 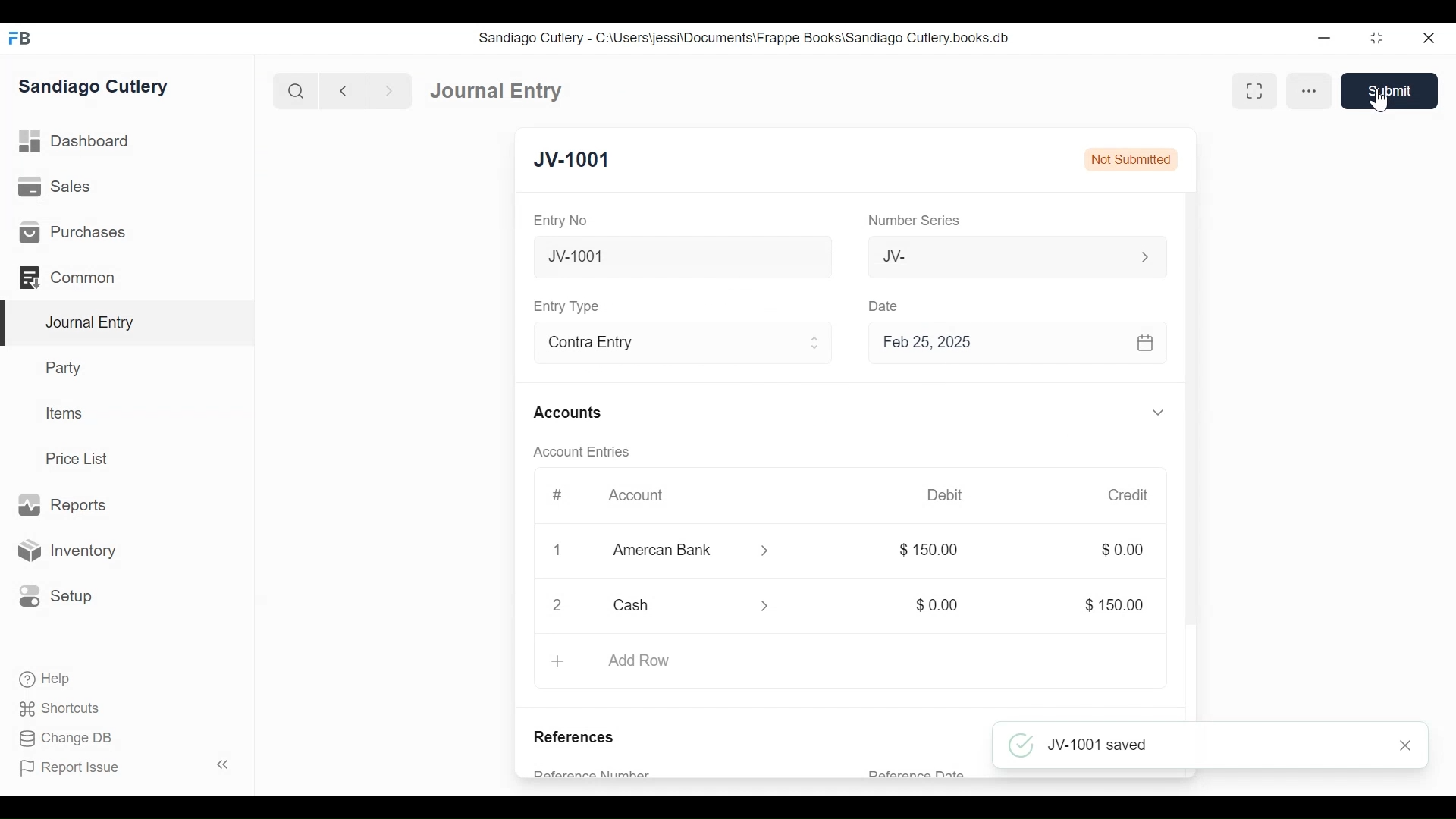 I want to click on Expand, so click(x=1145, y=257).